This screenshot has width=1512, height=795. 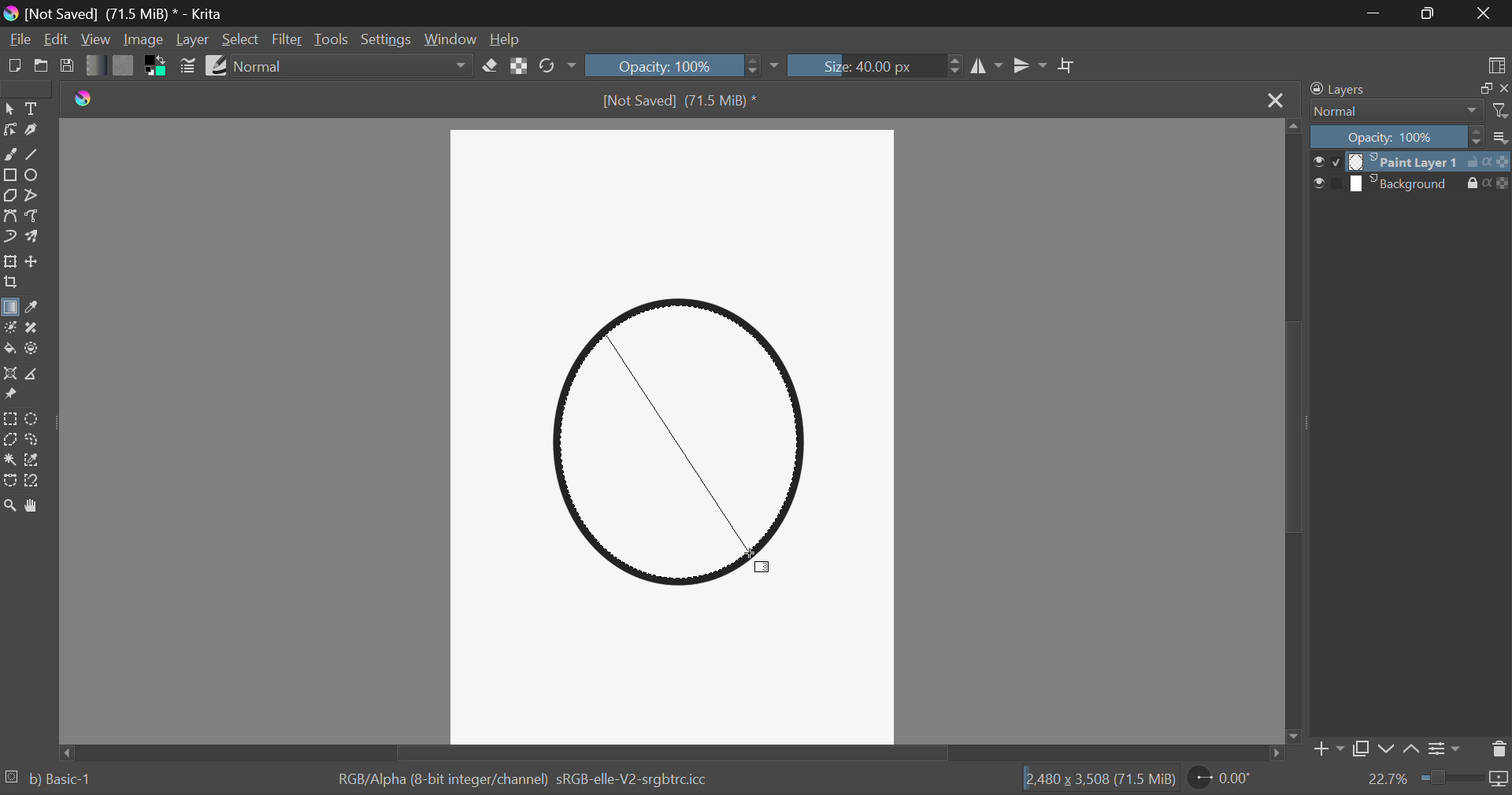 I want to click on Continuous Selection, so click(x=11, y=459).